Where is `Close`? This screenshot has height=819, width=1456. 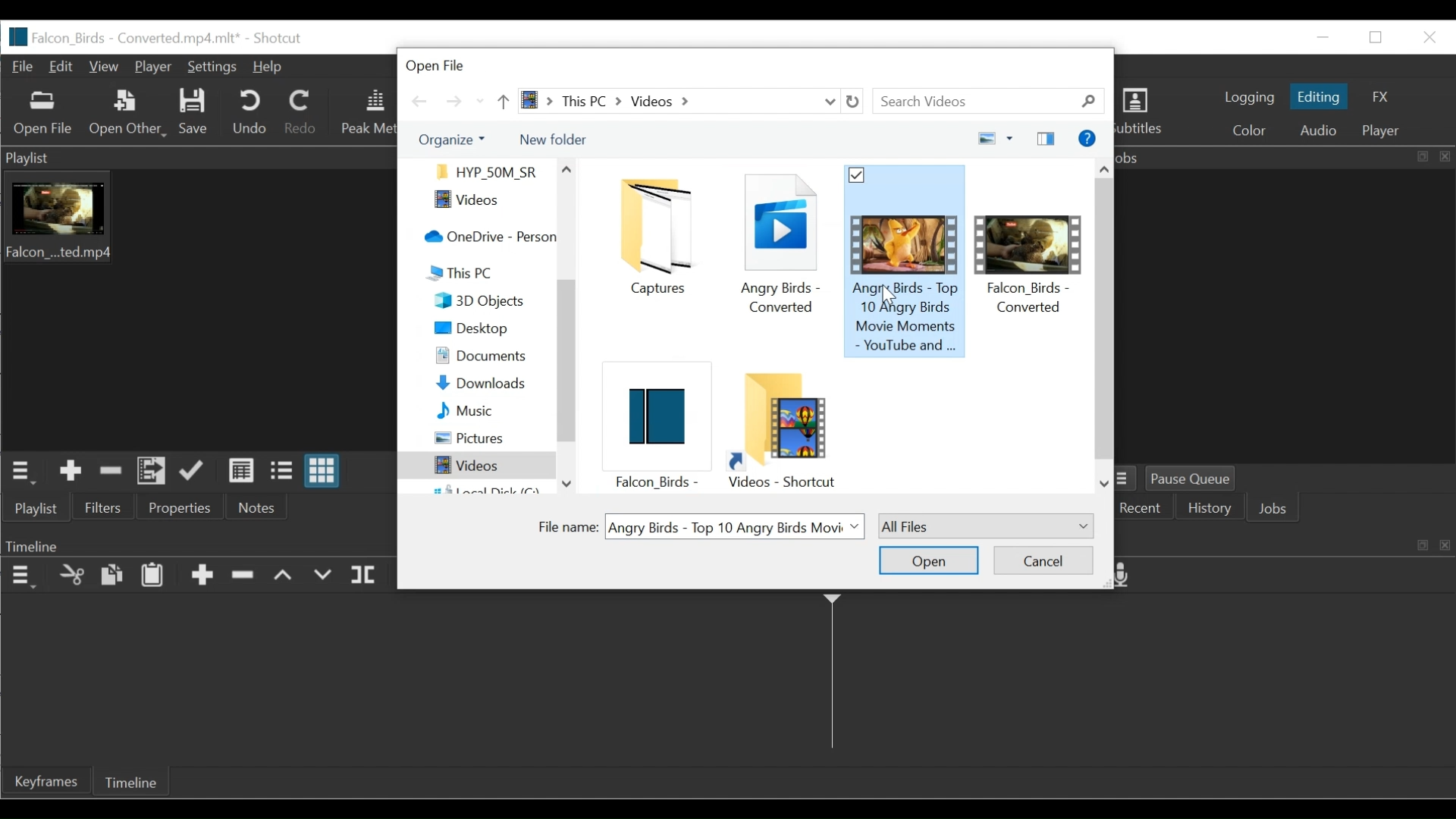 Close is located at coordinates (1096, 64).